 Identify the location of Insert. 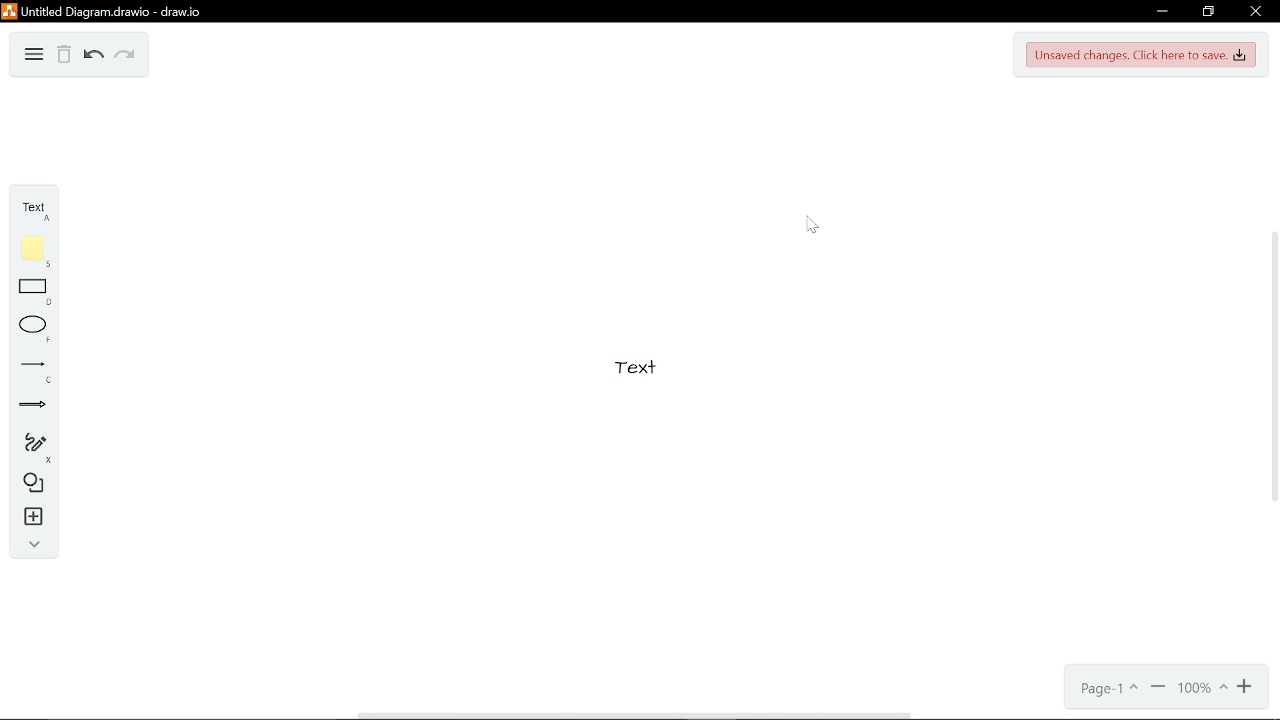
(27, 519).